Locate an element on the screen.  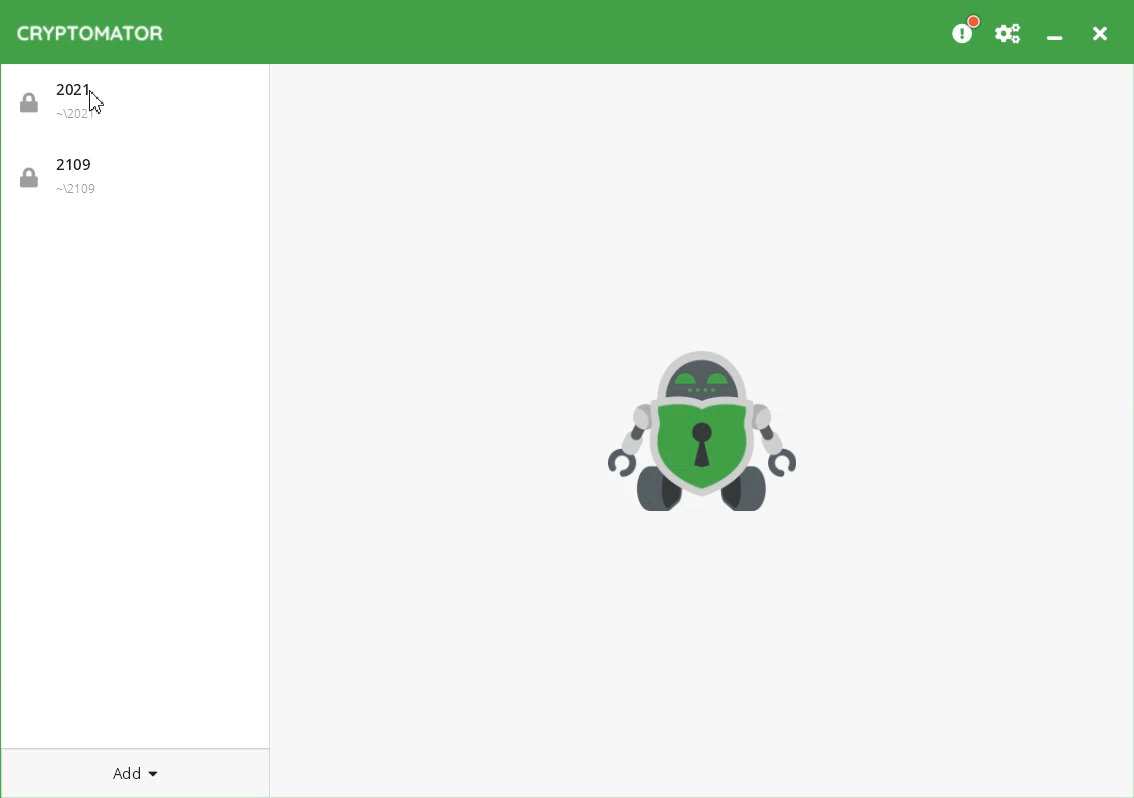
Minimize is located at coordinates (1052, 33).